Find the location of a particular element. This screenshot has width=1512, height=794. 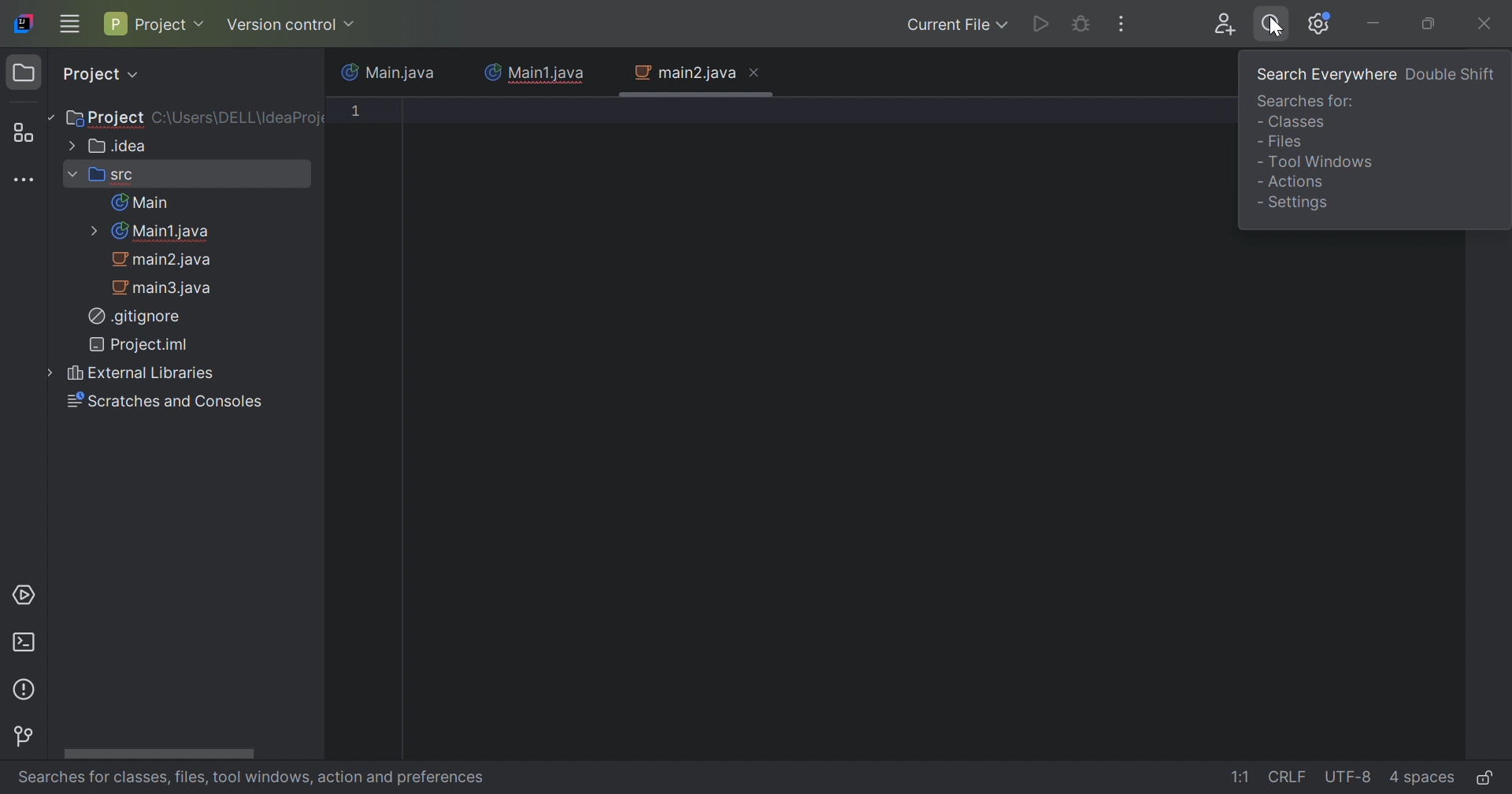

Searches for classes file, tool windows, action and preferences is located at coordinates (251, 780).